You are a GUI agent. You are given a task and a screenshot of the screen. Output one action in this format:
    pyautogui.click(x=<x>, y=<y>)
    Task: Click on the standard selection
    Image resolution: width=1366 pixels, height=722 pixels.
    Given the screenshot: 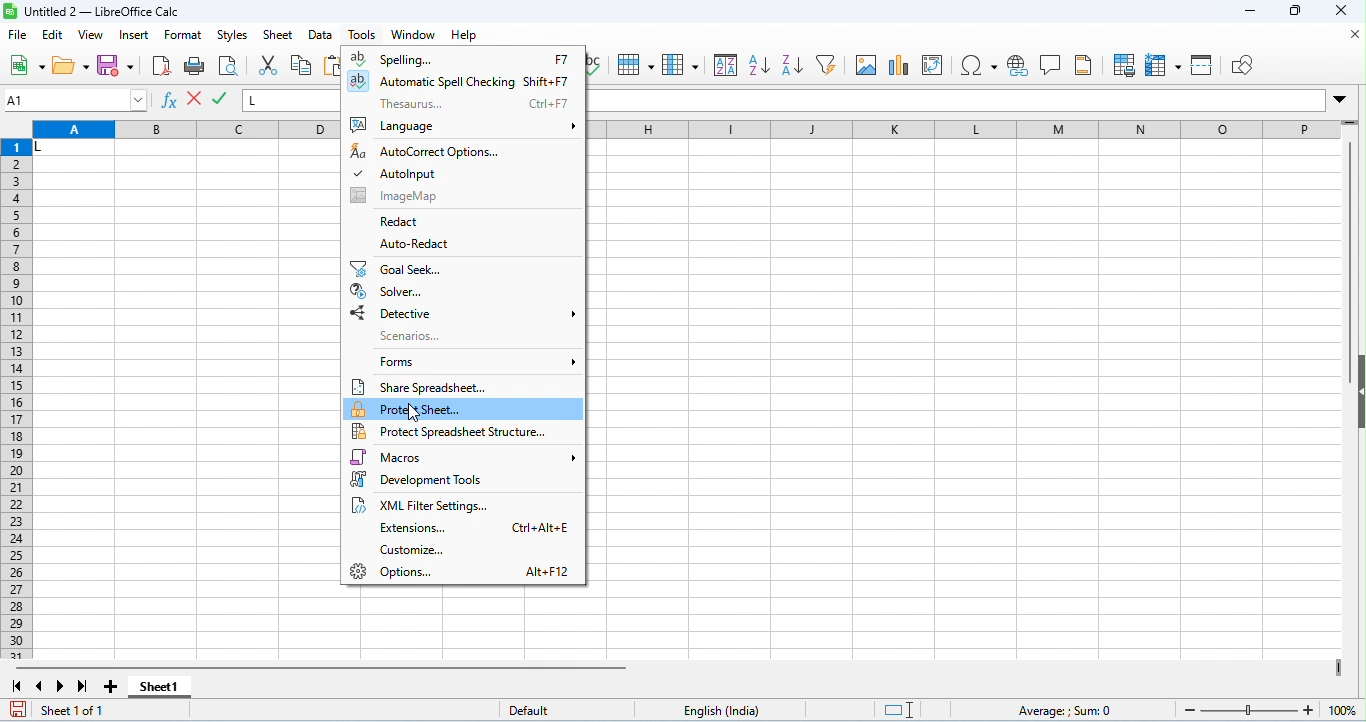 What is the action you would take?
    pyautogui.click(x=901, y=710)
    